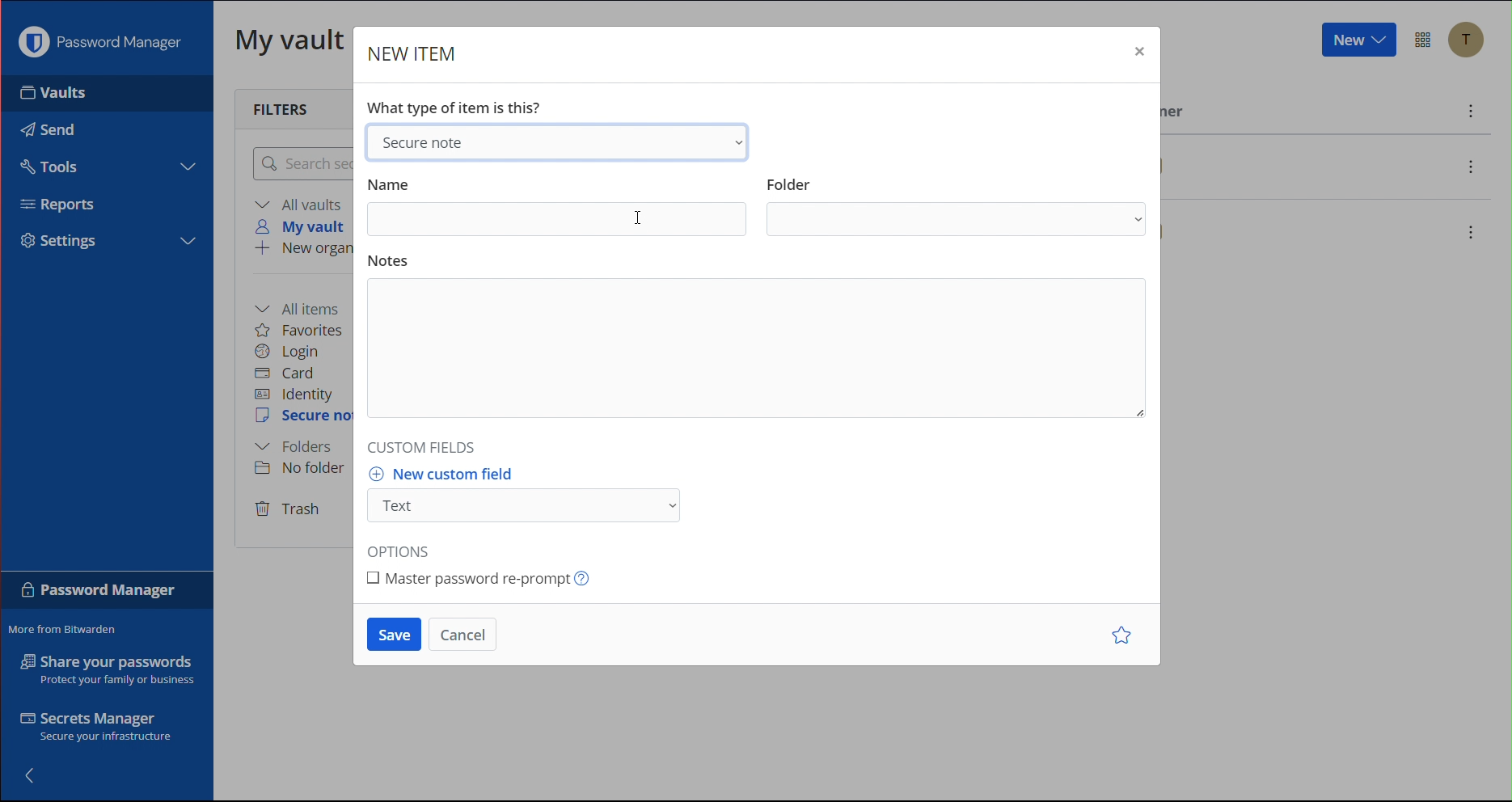 The image size is (1512, 802). What do you see at coordinates (291, 44) in the screenshot?
I see `My vault` at bounding box center [291, 44].